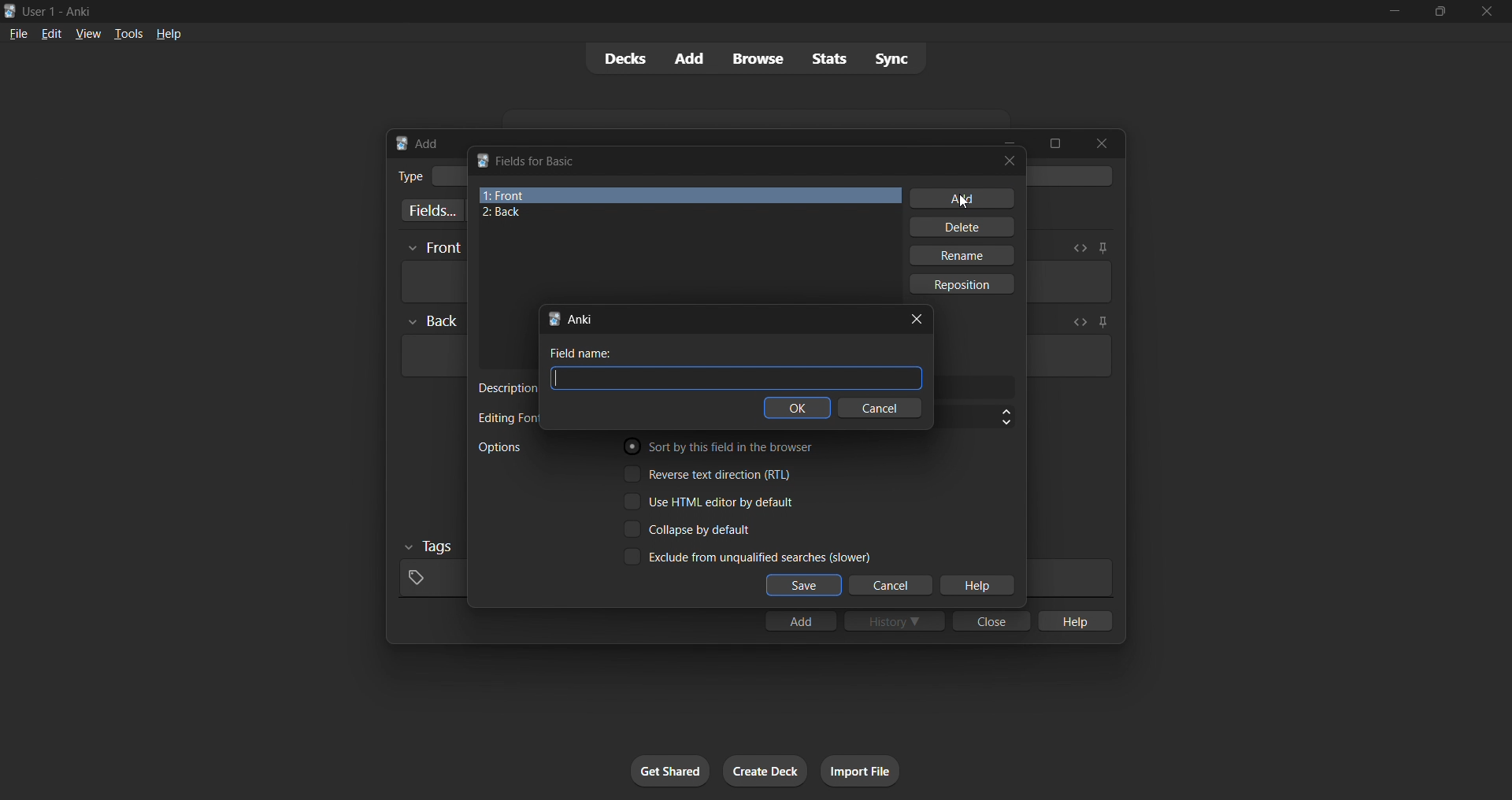  What do you see at coordinates (432, 356) in the screenshot?
I see `card back input` at bounding box center [432, 356].